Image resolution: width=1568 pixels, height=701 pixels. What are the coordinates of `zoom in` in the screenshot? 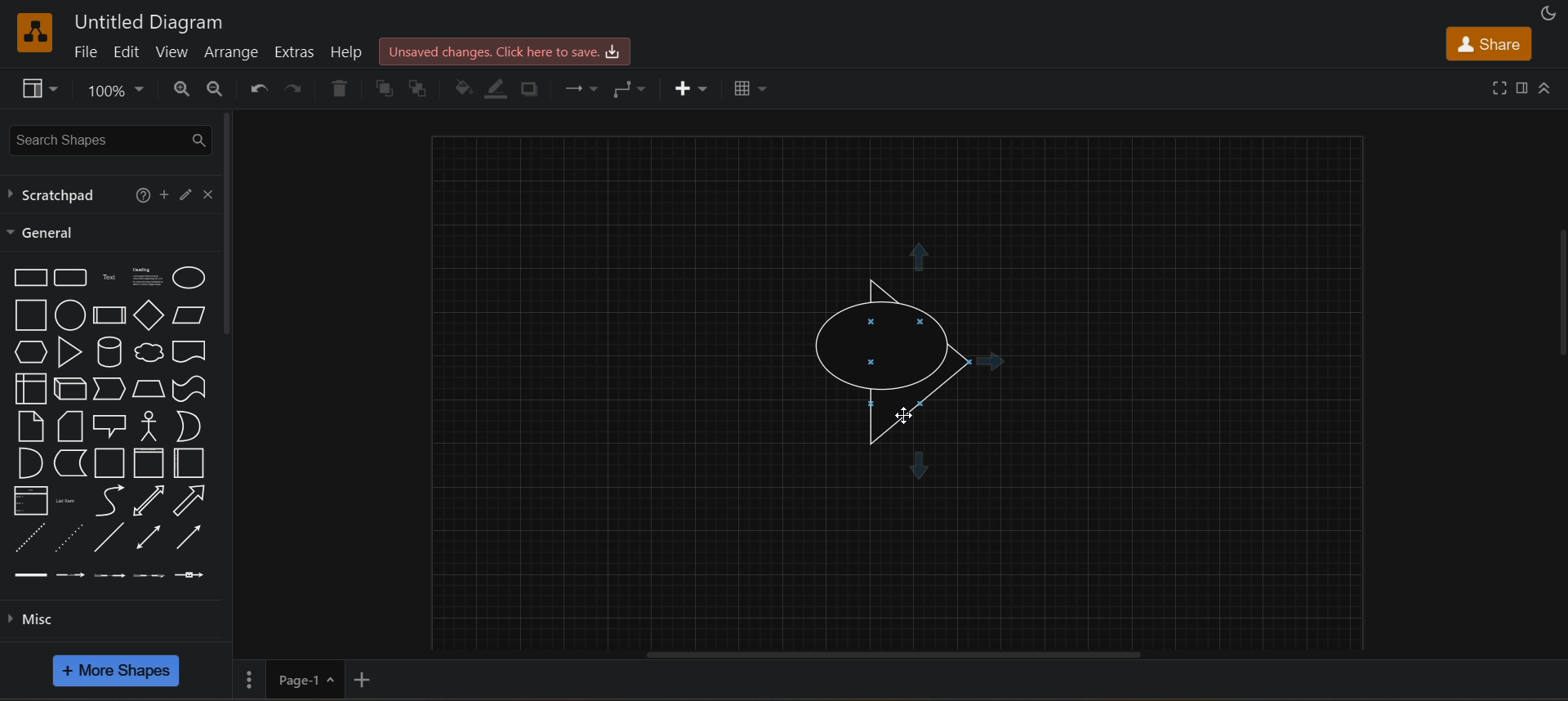 It's located at (180, 87).